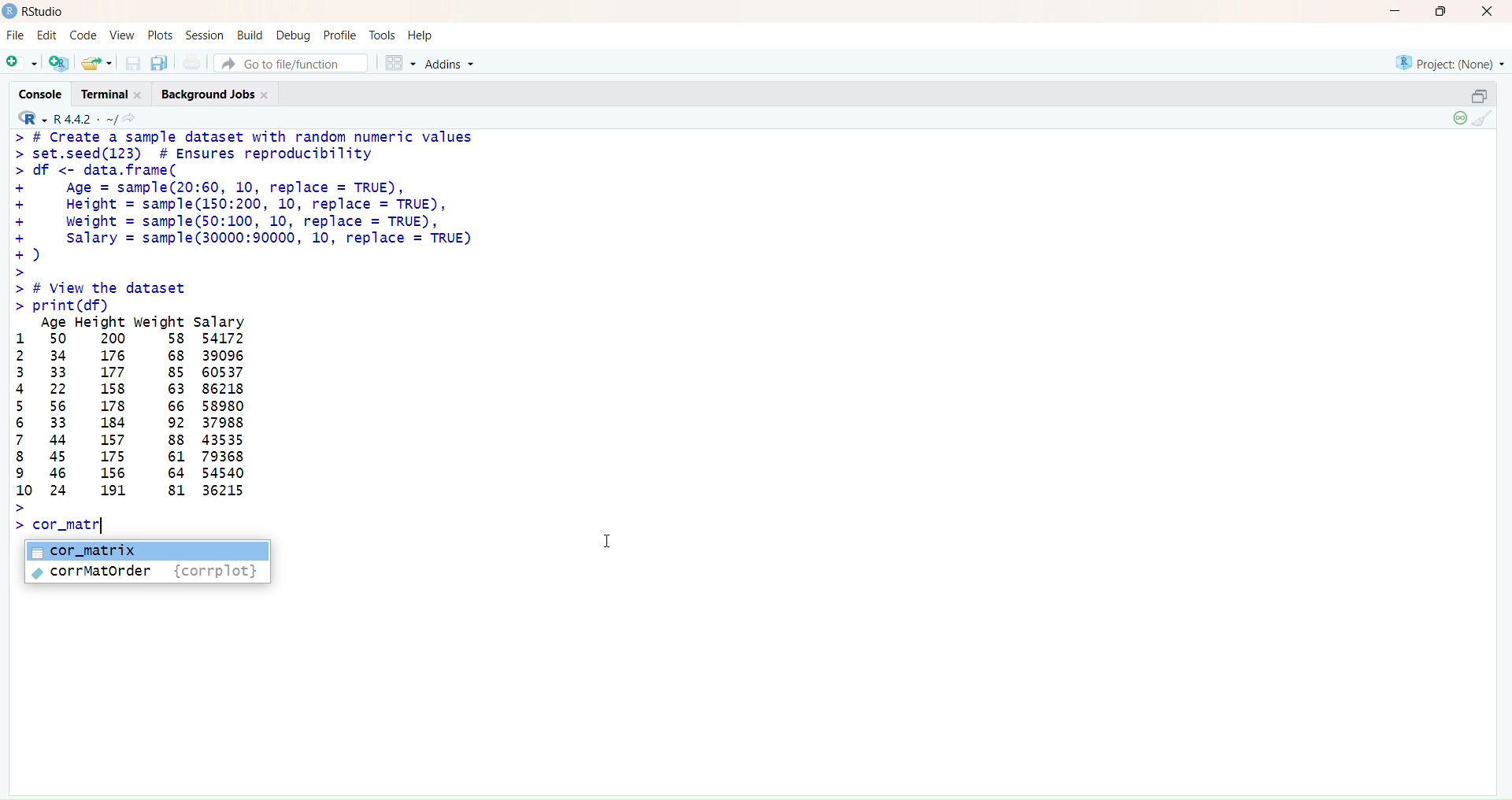 This screenshot has height=800, width=1512. What do you see at coordinates (341, 35) in the screenshot?
I see `Profile` at bounding box center [341, 35].